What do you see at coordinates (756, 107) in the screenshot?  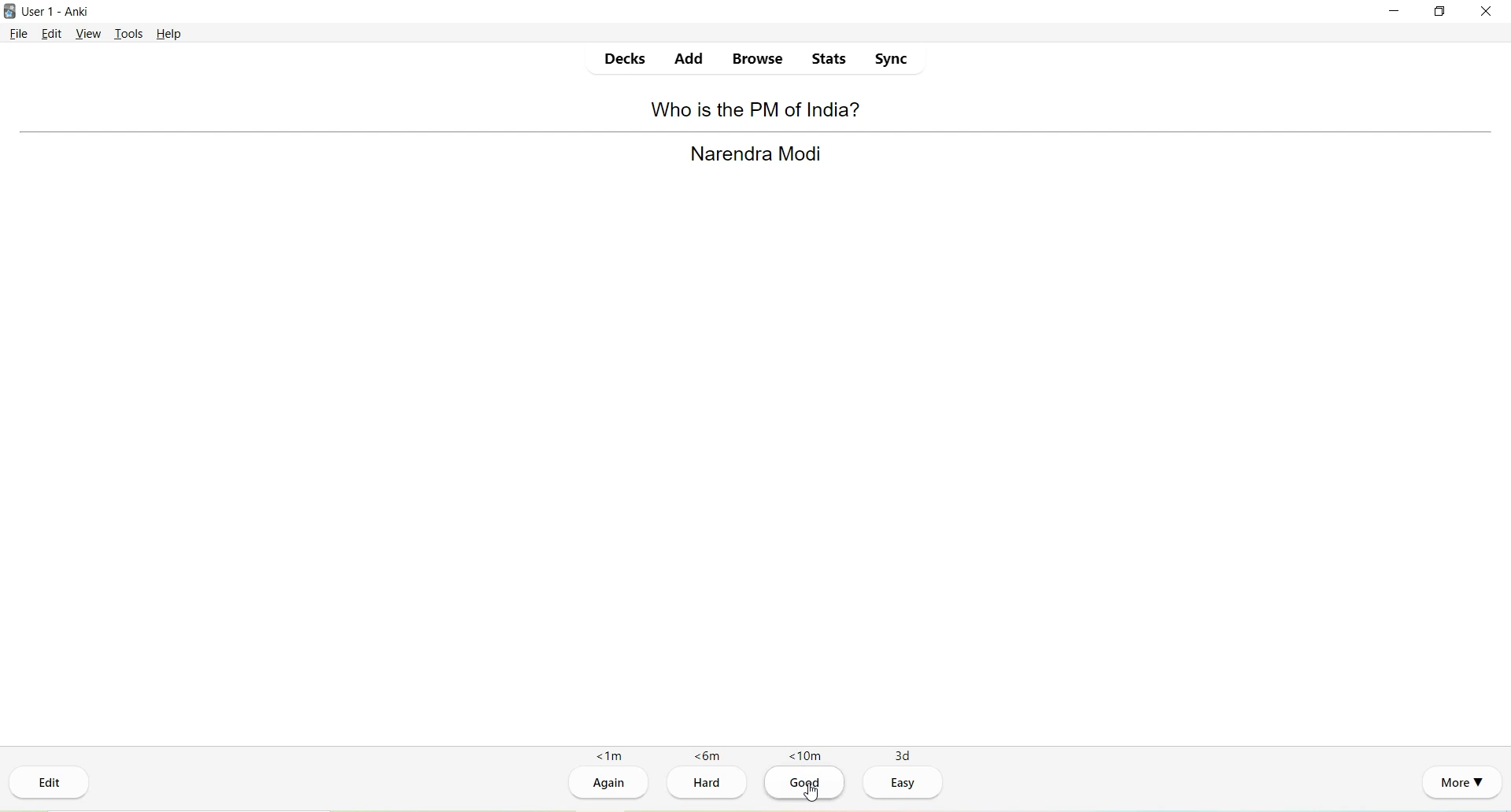 I see `Who is the PM of India?` at bounding box center [756, 107].